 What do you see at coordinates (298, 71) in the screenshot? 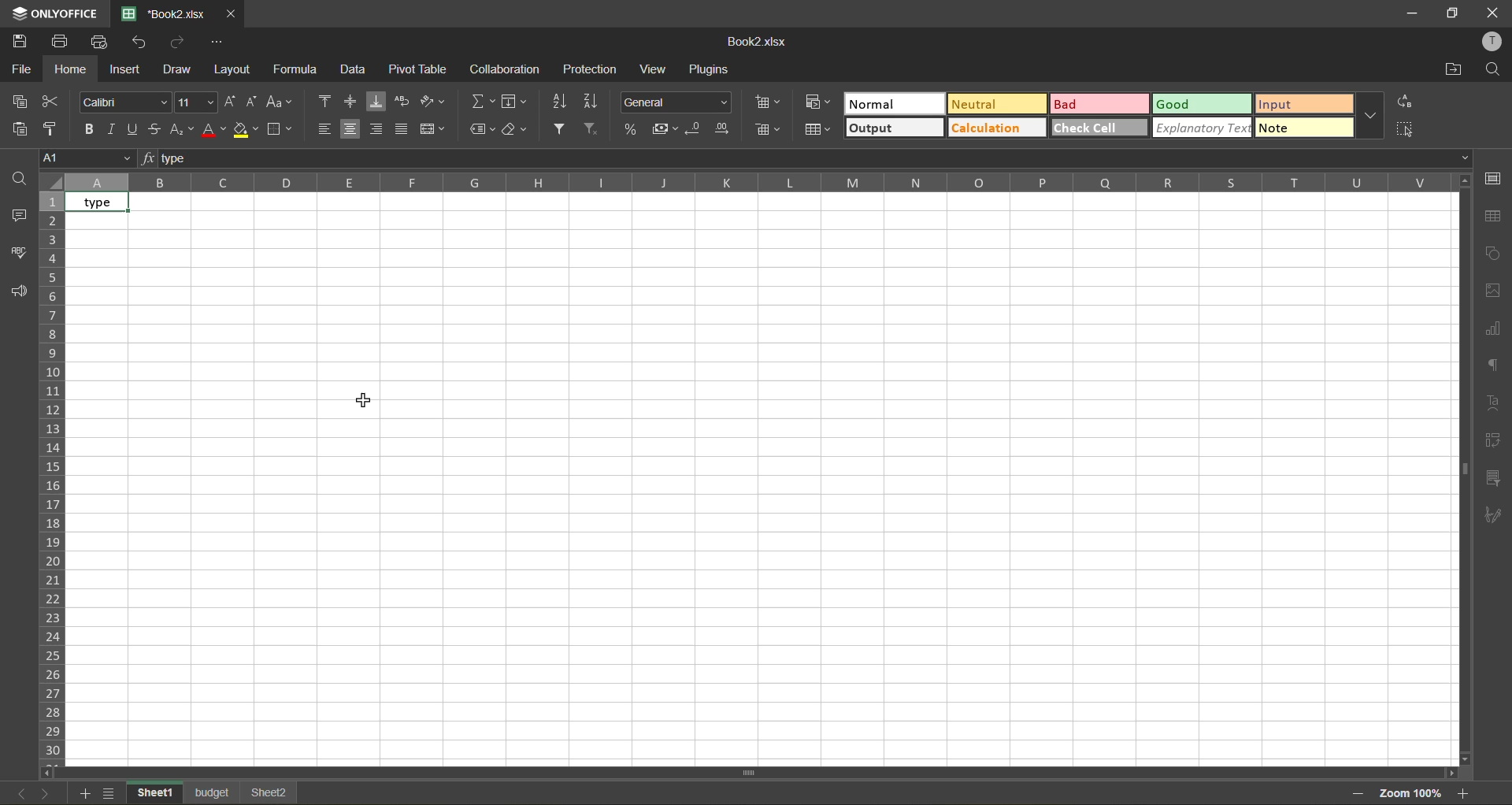
I see `formula` at bounding box center [298, 71].